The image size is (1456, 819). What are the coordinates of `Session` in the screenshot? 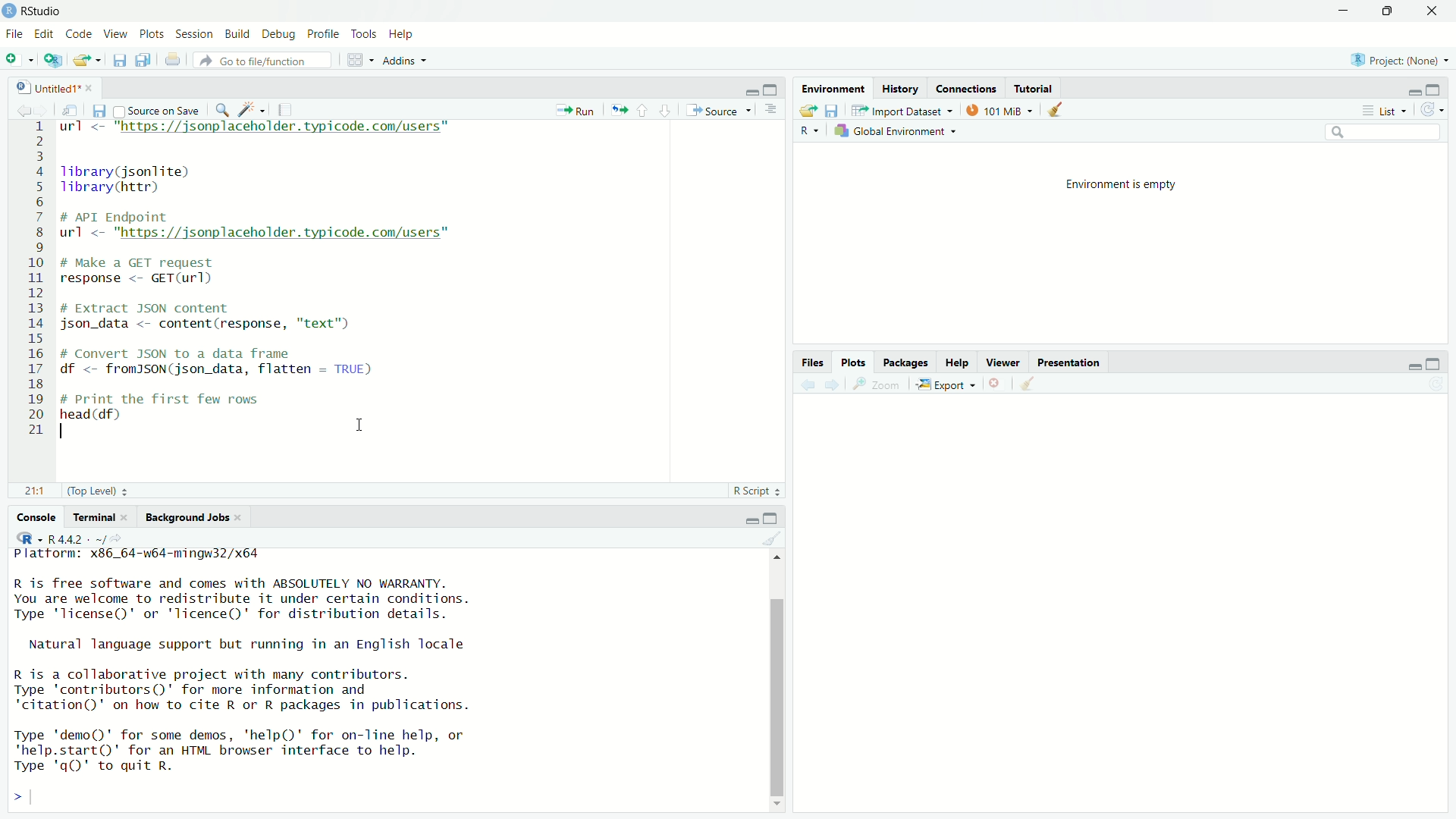 It's located at (193, 34).